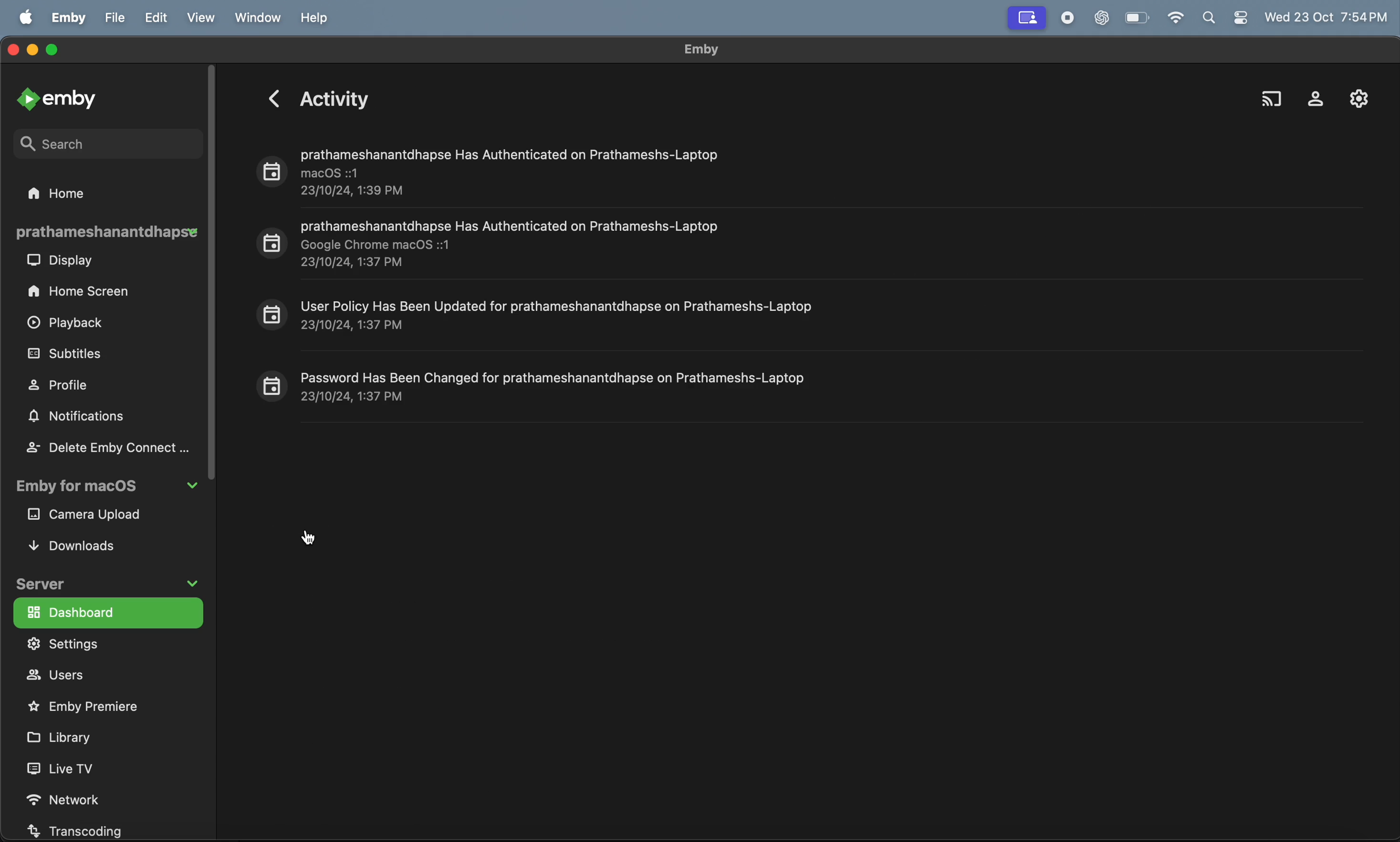 The height and width of the screenshot is (842, 1400). Describe the element at coordinates (12, 48) in the screenshot. I see `closing window` at that location.